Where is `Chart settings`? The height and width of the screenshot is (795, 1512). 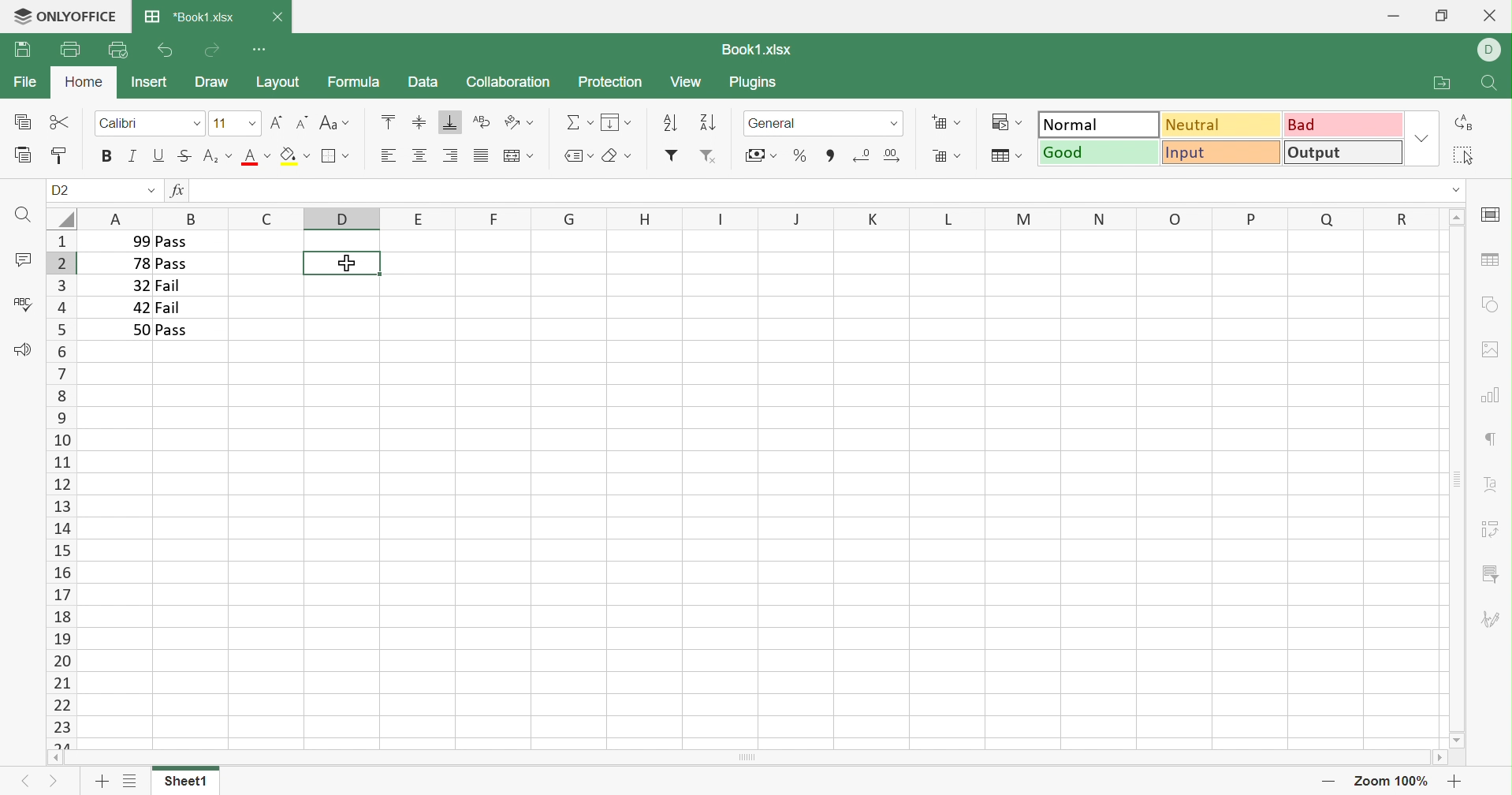 Chart settings is located at coordinates (1488, 393).